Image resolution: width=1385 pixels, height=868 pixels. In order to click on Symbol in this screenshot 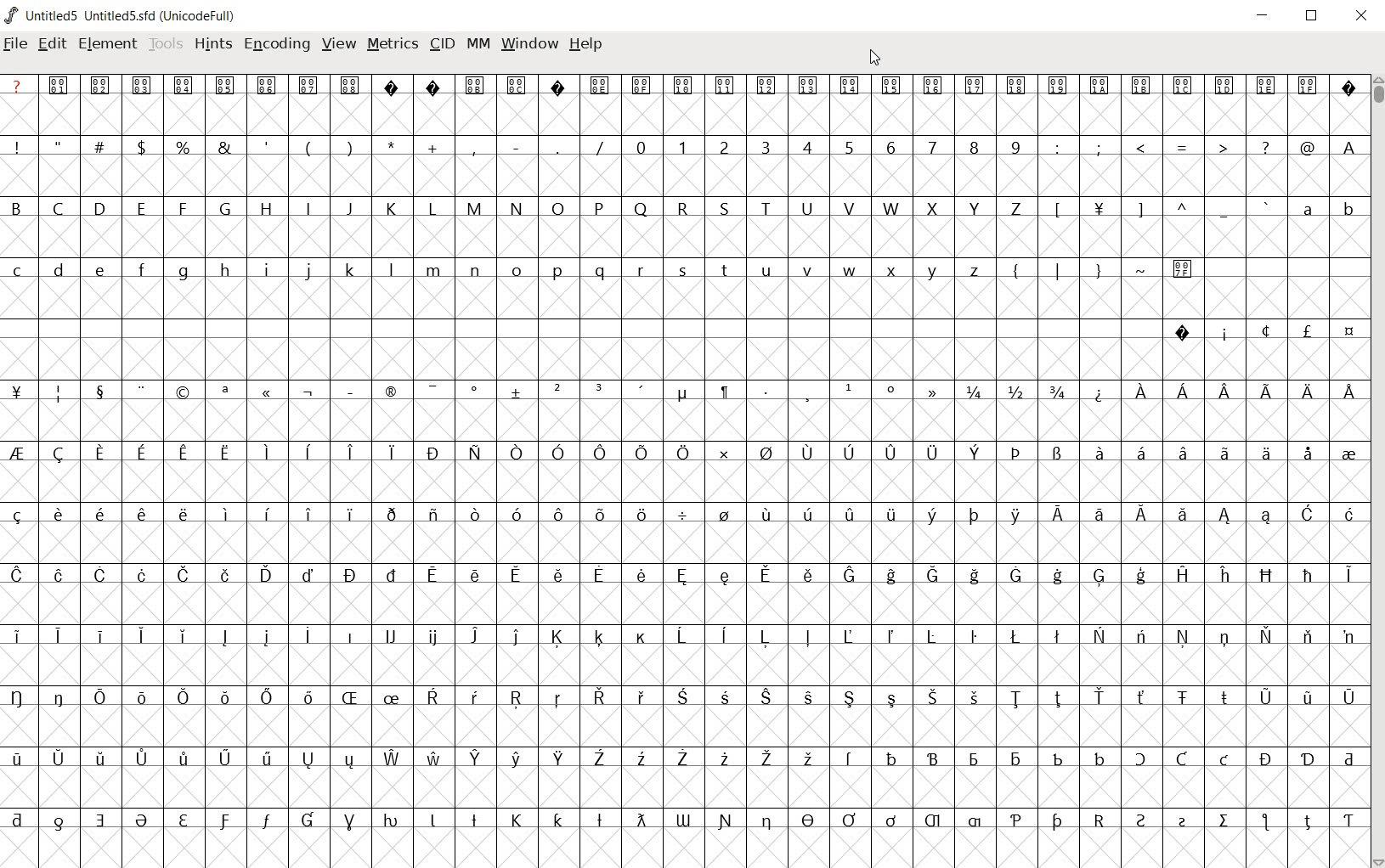, I will do `click(1265, 454)`.